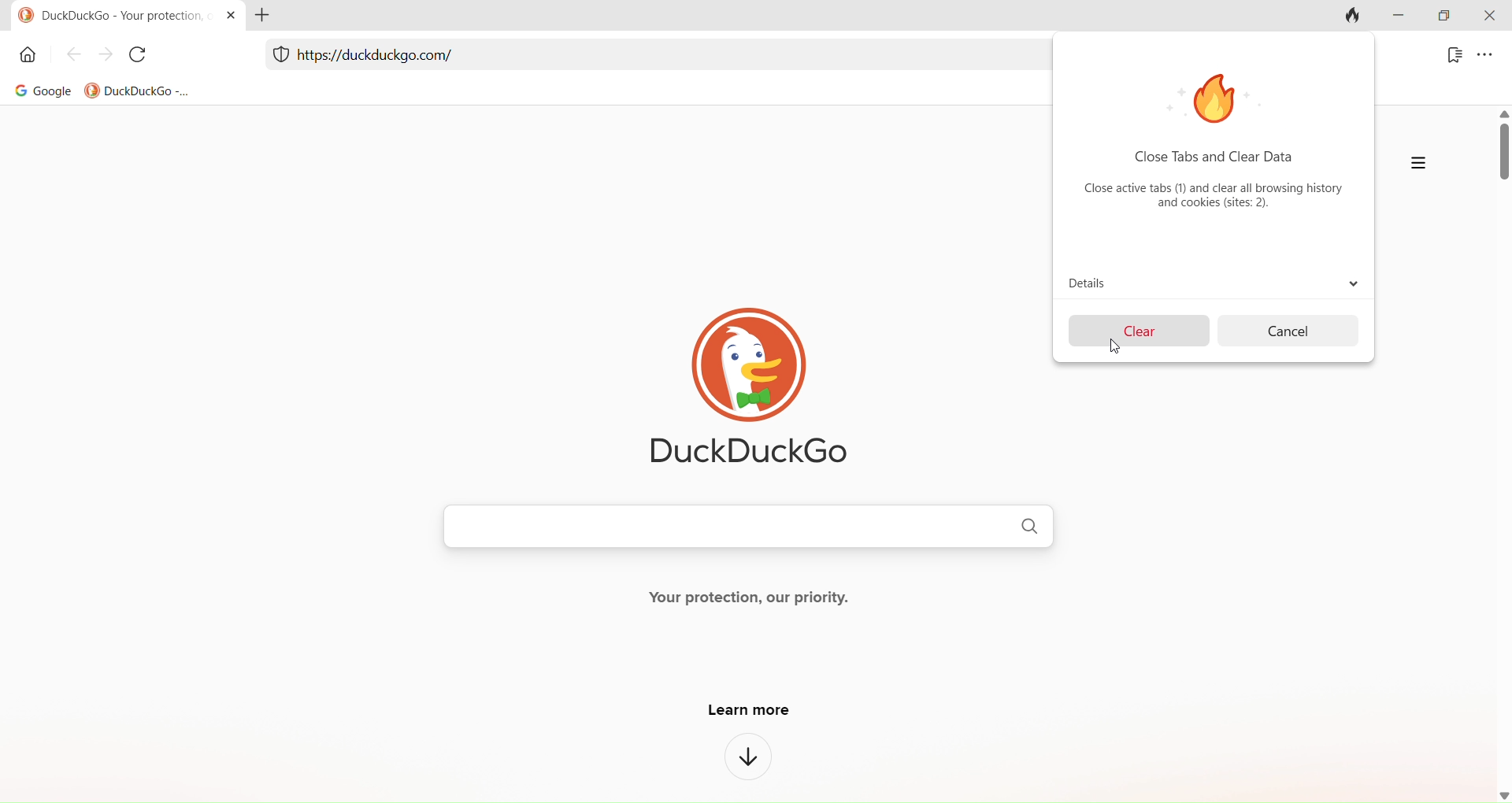 Image resolution: width=1512 pixels, height=803 pixels. What do you see at coordinates (1400, 23) in the screenshot?
I see `minimize` at bounding box center [1400, 23].